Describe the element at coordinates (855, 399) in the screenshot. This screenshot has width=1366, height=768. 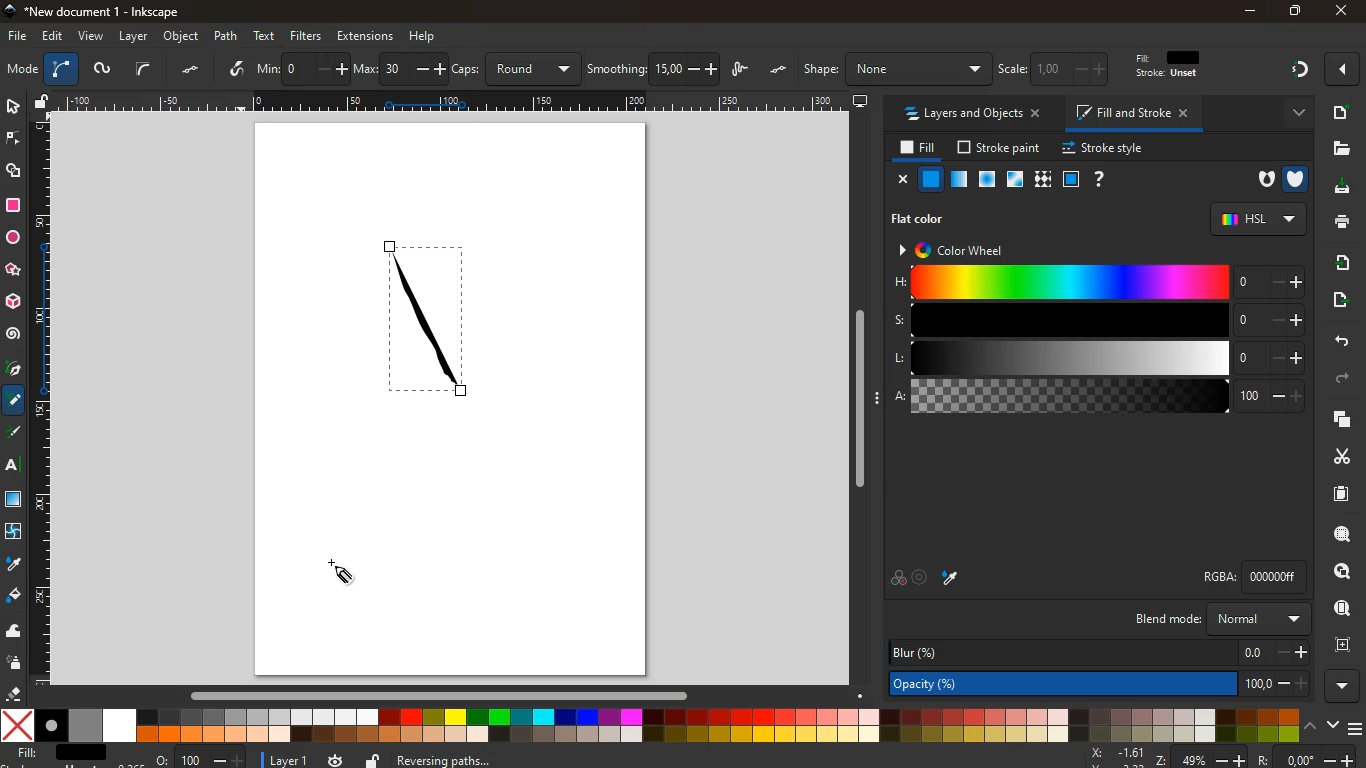
I see `Vertical scroll bar` at that location.